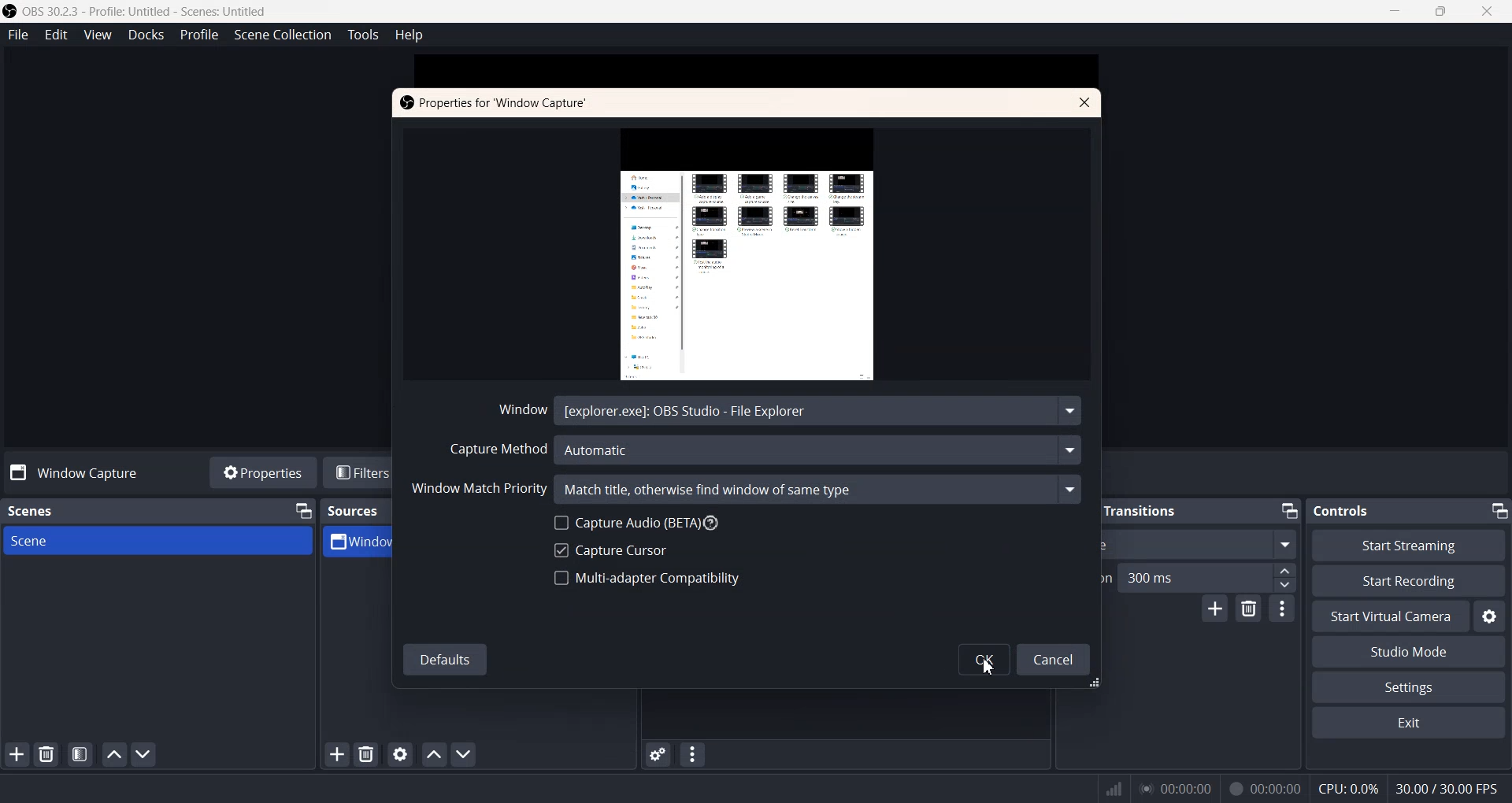 The image size is (1512, 803). Describe the element at coordinates (16, 754) in the screenshot. I see `Add Scene` at that location.